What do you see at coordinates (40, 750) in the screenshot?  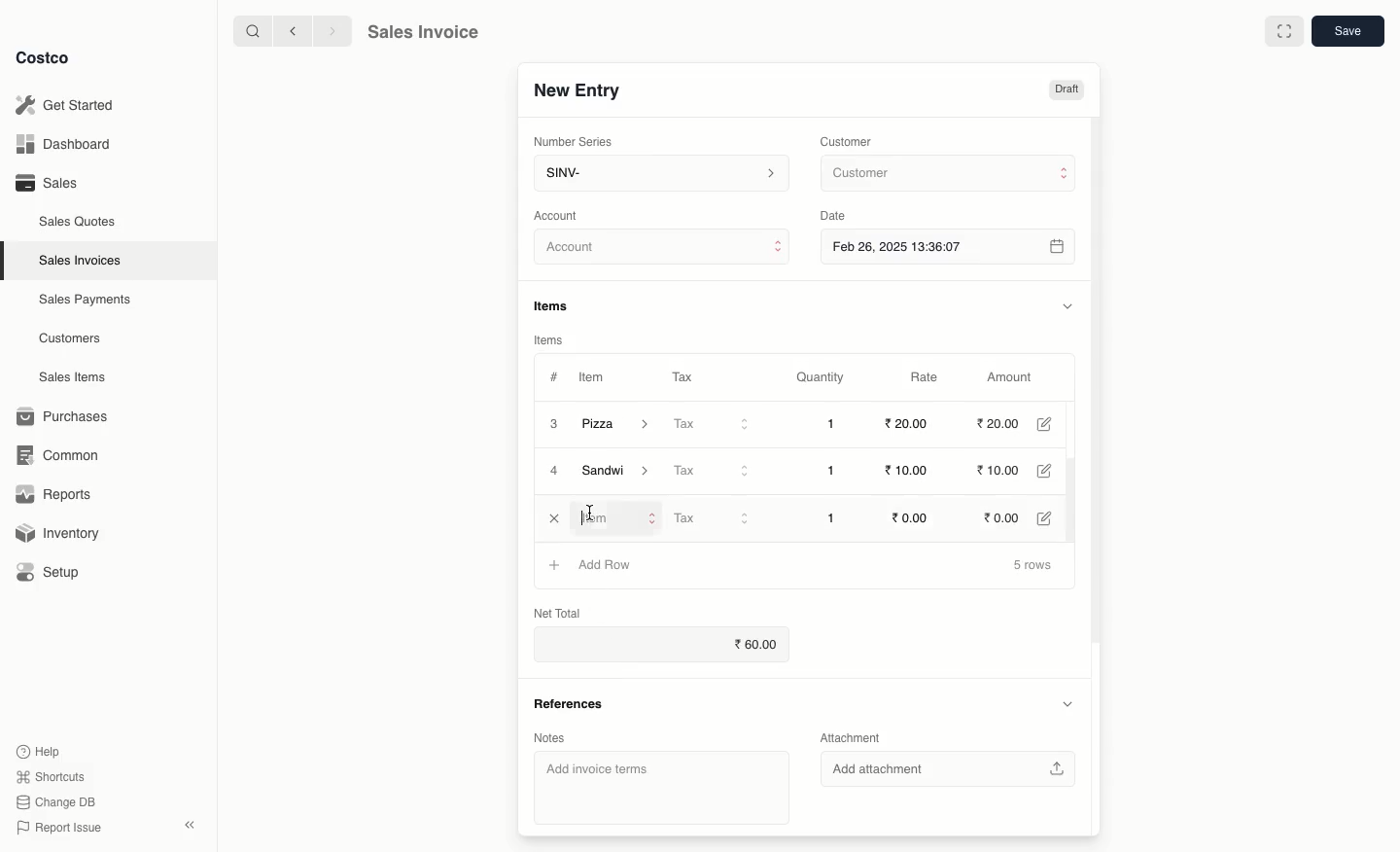 I see `Help` at bounding box center [40, 750].